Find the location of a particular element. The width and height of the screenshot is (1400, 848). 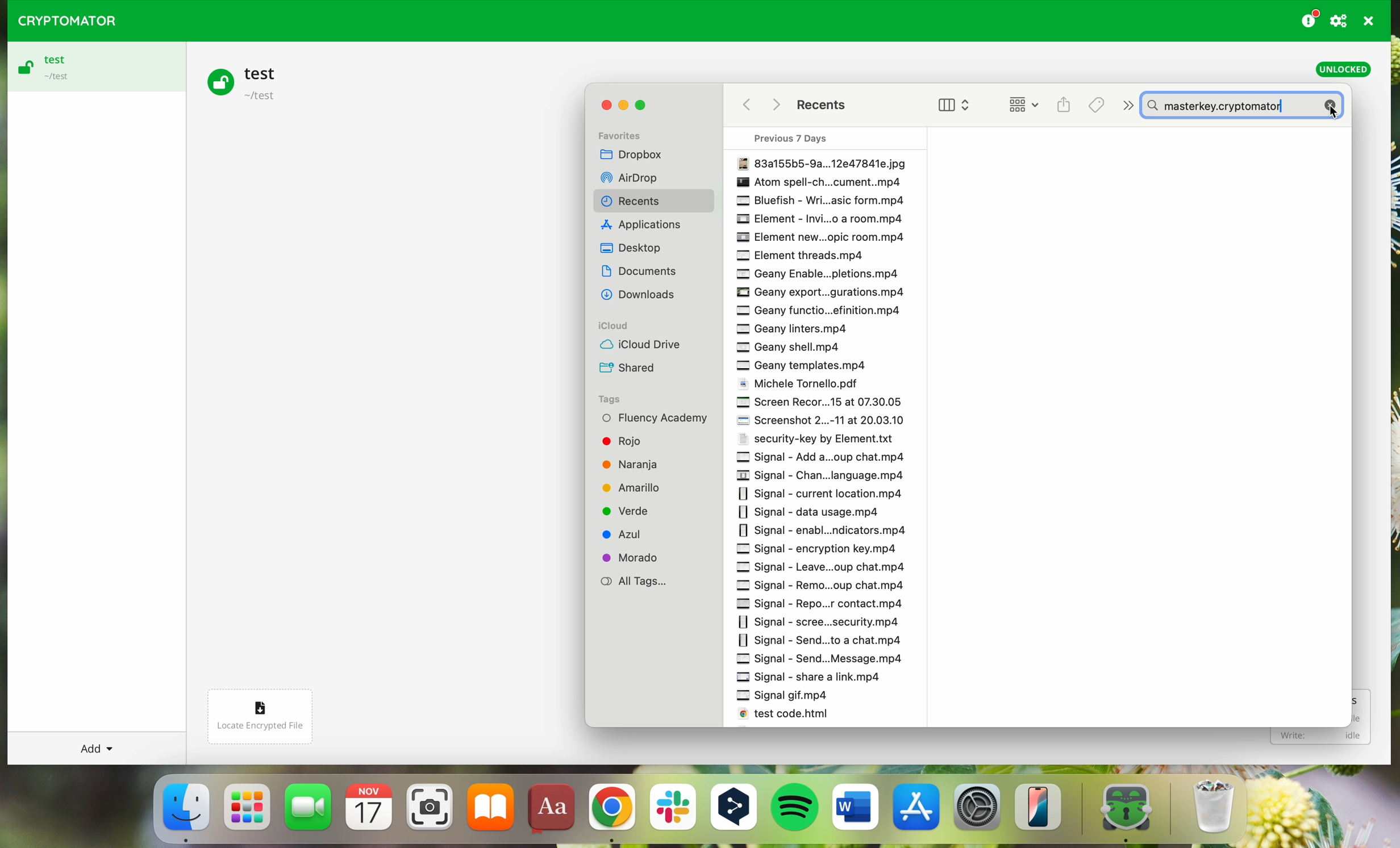

signal chan language is located at coordinates (826, 474).